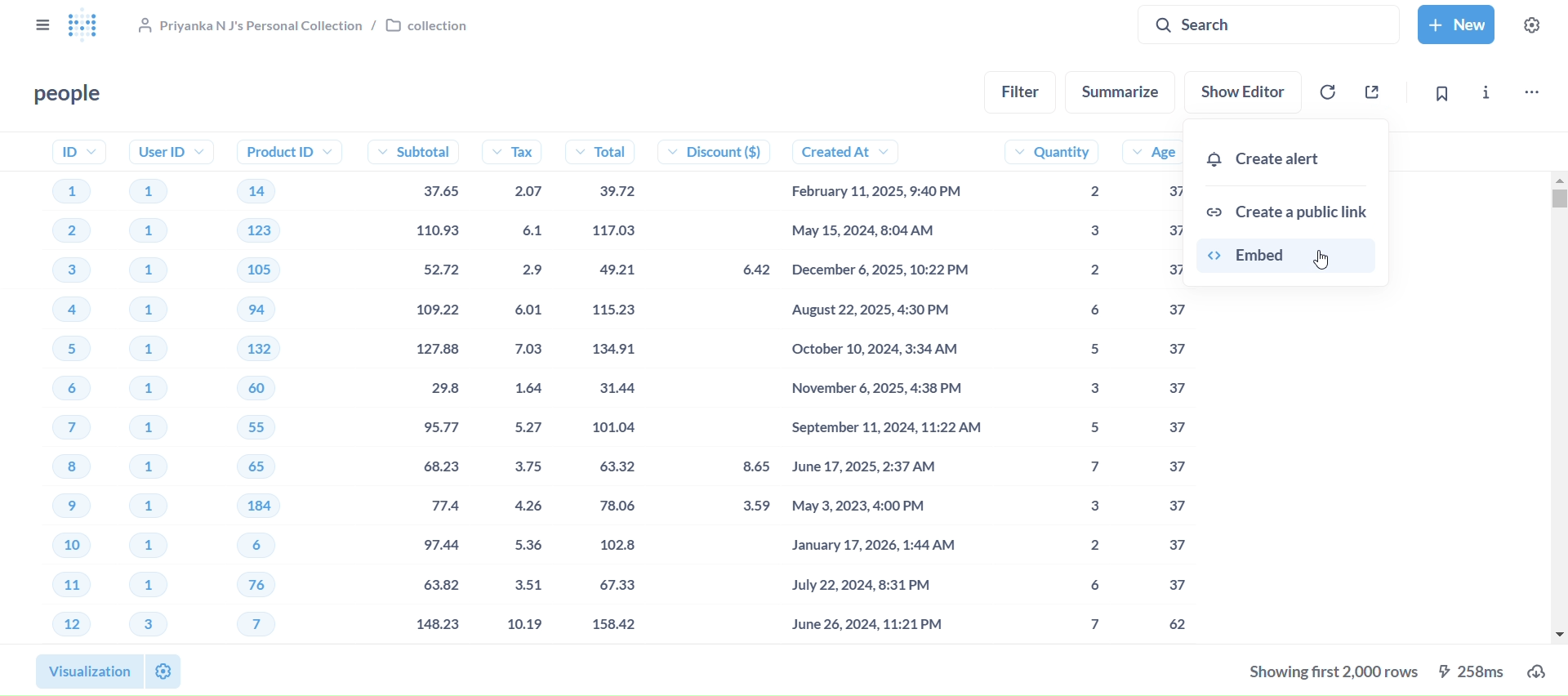 The image size is (1568, 696). Describe the element at coordinates (1542, 671) in the screenshot. I see `upload to collection` at that location.